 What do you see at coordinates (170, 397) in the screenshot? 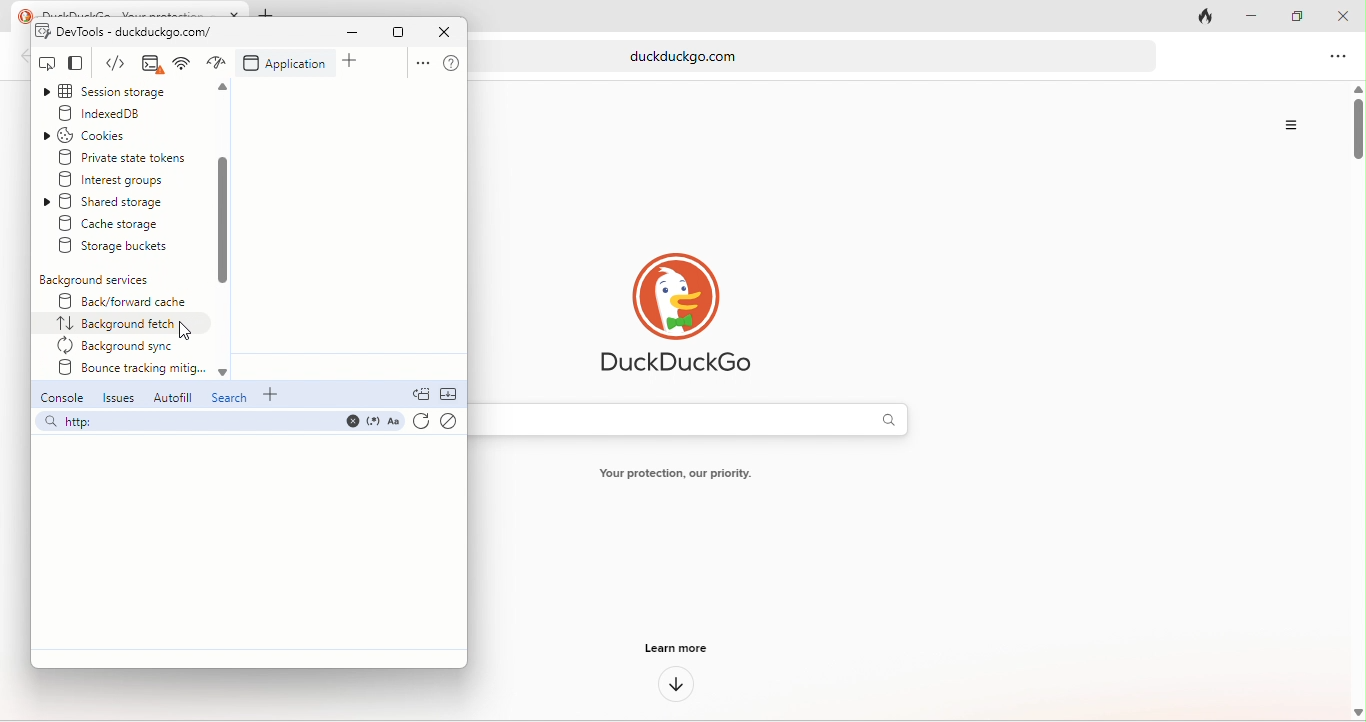
I see `autofill` at bounding box center [170, 397].